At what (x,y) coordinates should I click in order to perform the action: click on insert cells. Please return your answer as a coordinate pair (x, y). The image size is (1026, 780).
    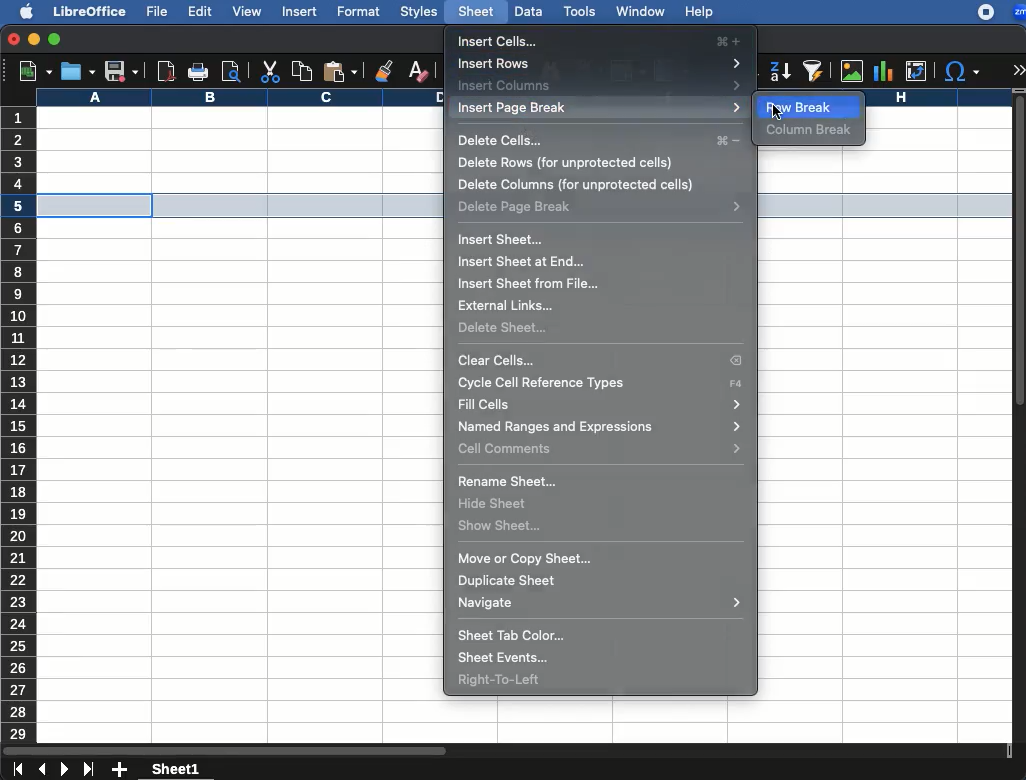
    Looking at the image, I should click on (599, 44).